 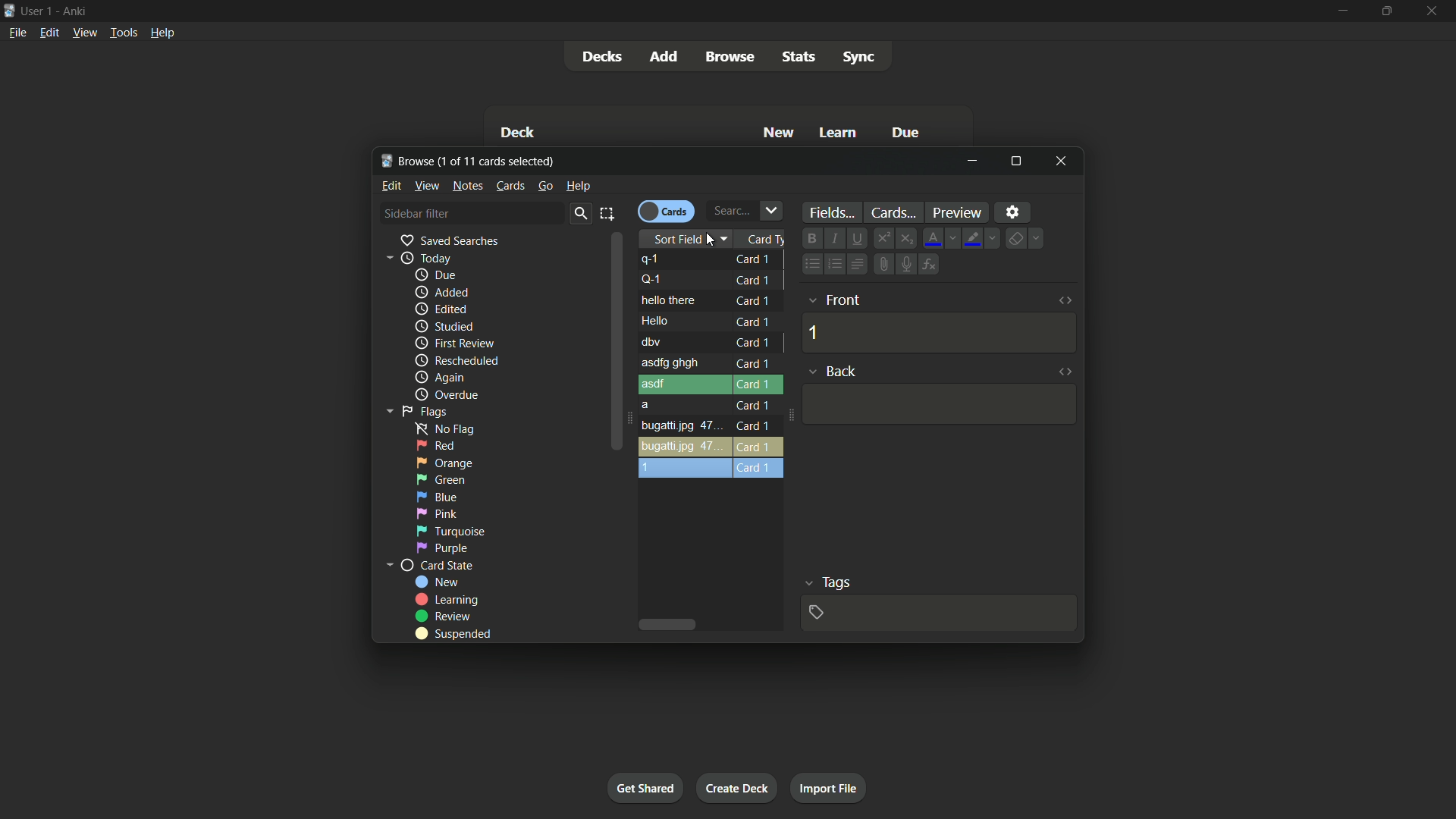 I want to click on first review, so click(x=459, y=343).